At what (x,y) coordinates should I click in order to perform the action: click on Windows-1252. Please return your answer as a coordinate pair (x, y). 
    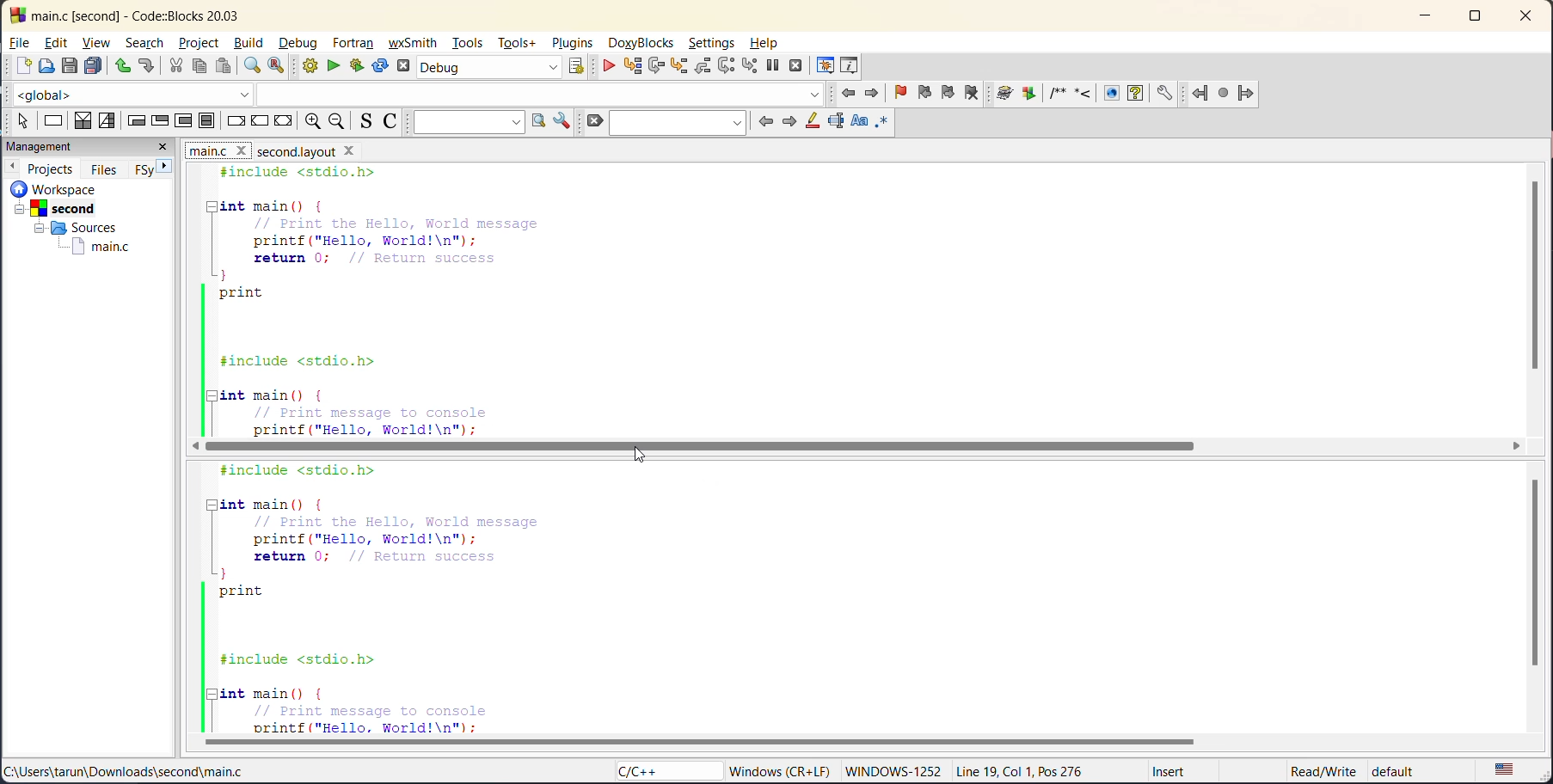
    Looking at the image, I should click on (894, 769).